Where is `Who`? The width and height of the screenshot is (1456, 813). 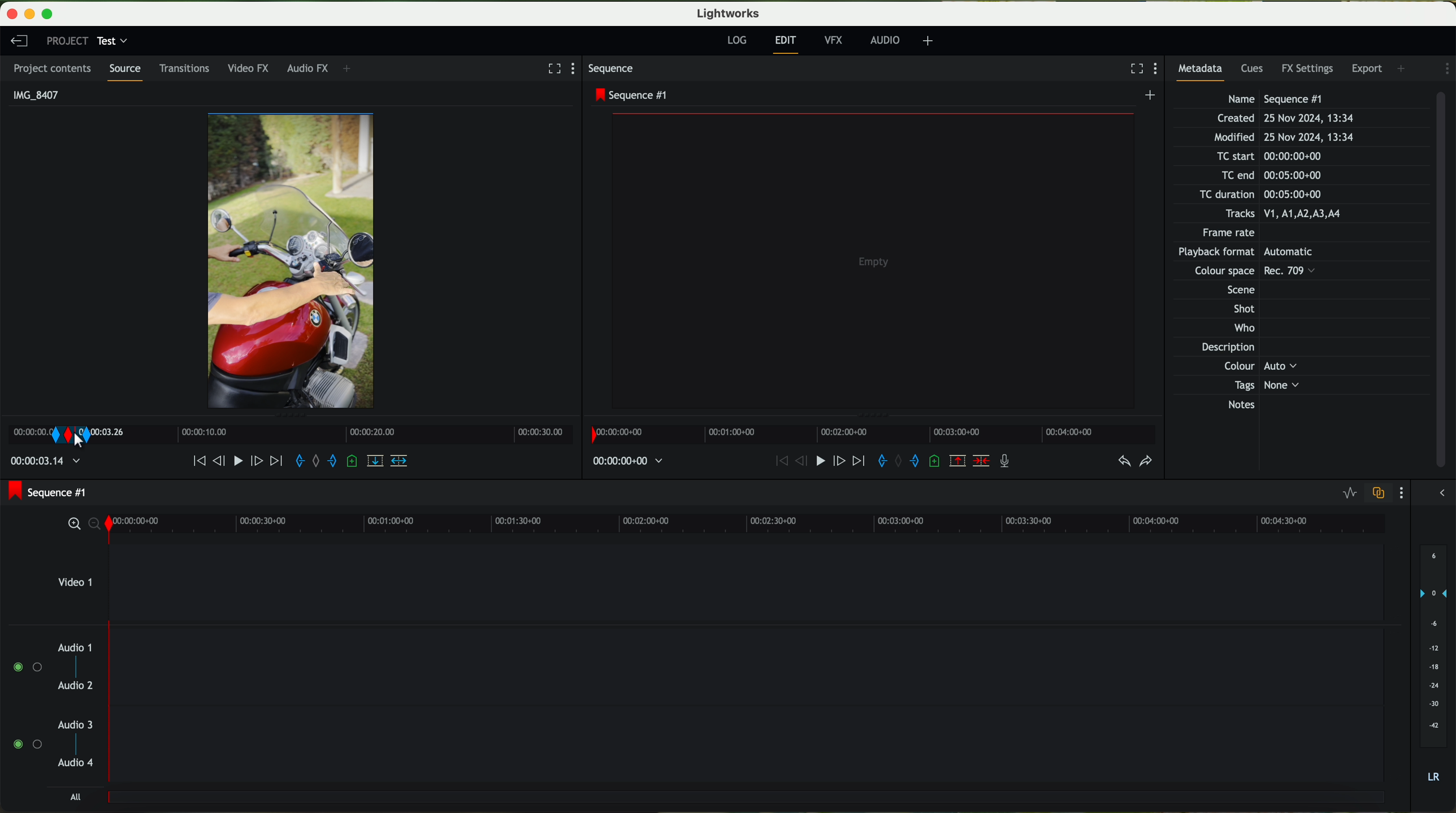
Who is located at coordinates (1242, 329).